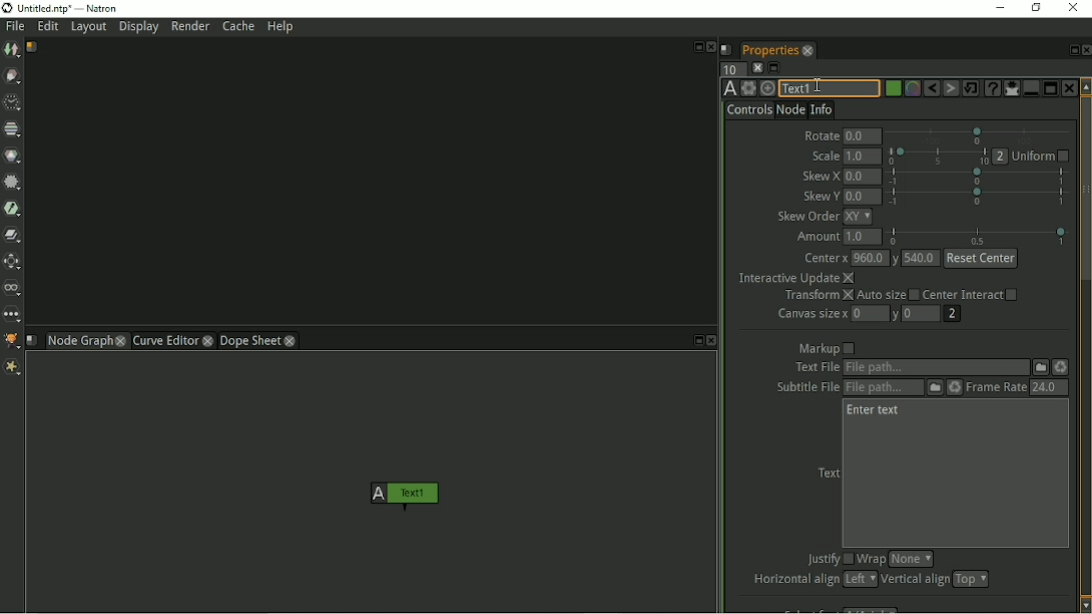  Describe the element at coordinates (922, 258) in the screenshot. I see `540` at that location.